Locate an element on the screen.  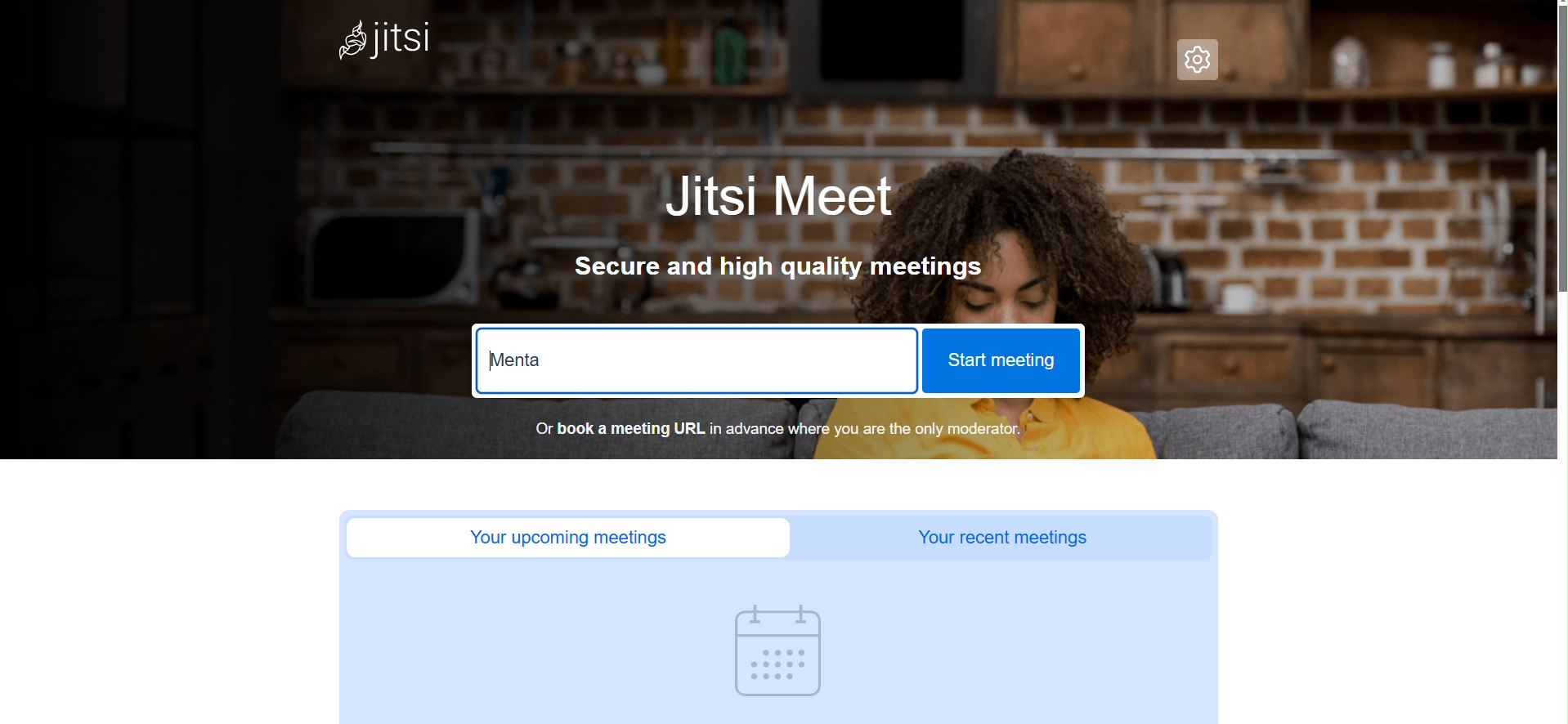
Your upcoming meetings is located at coordinates (567, 539).